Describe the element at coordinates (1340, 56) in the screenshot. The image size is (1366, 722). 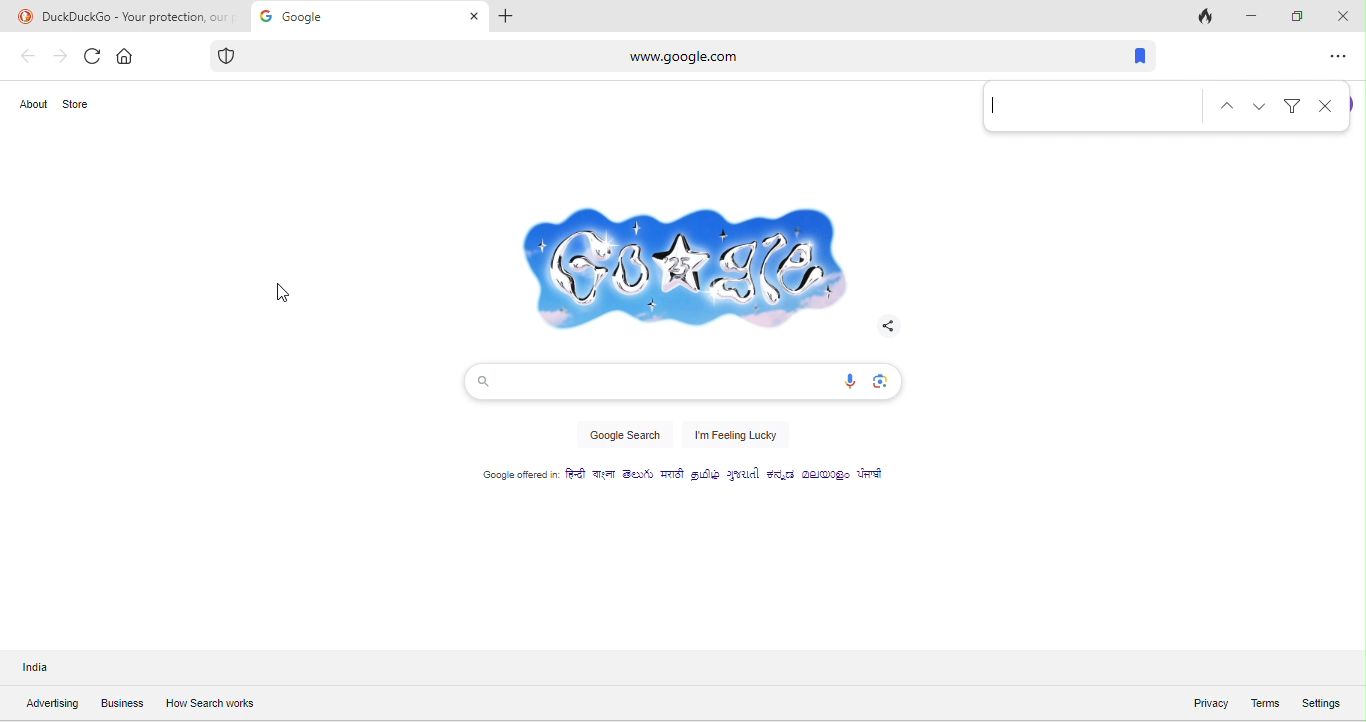
I see `option` at that location.